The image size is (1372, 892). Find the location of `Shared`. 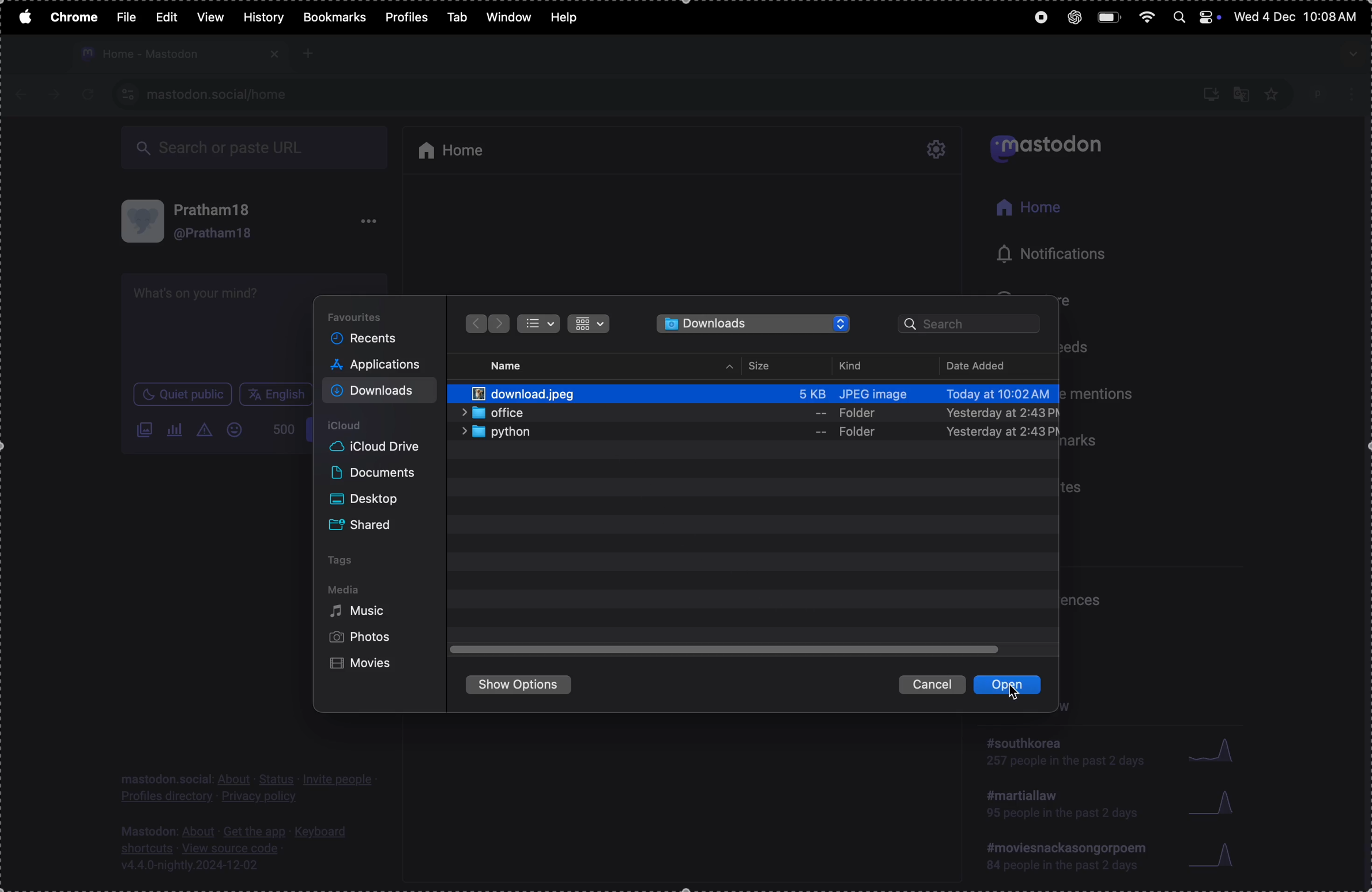

Shared is located at coordinates (369, 523).